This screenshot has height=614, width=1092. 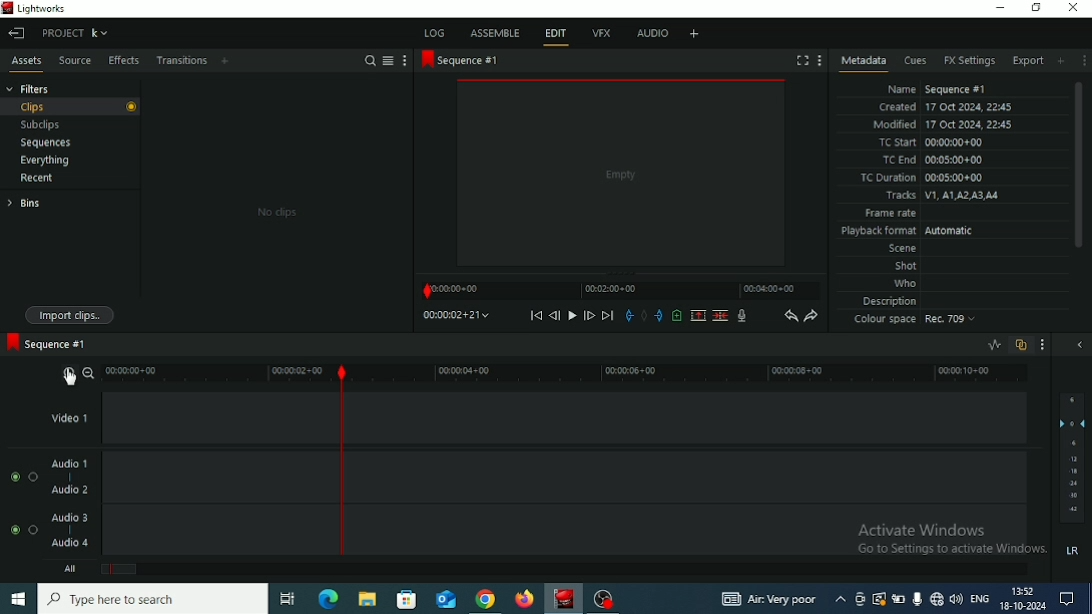 I want to click on Video clip, so click(x=622, y=175).